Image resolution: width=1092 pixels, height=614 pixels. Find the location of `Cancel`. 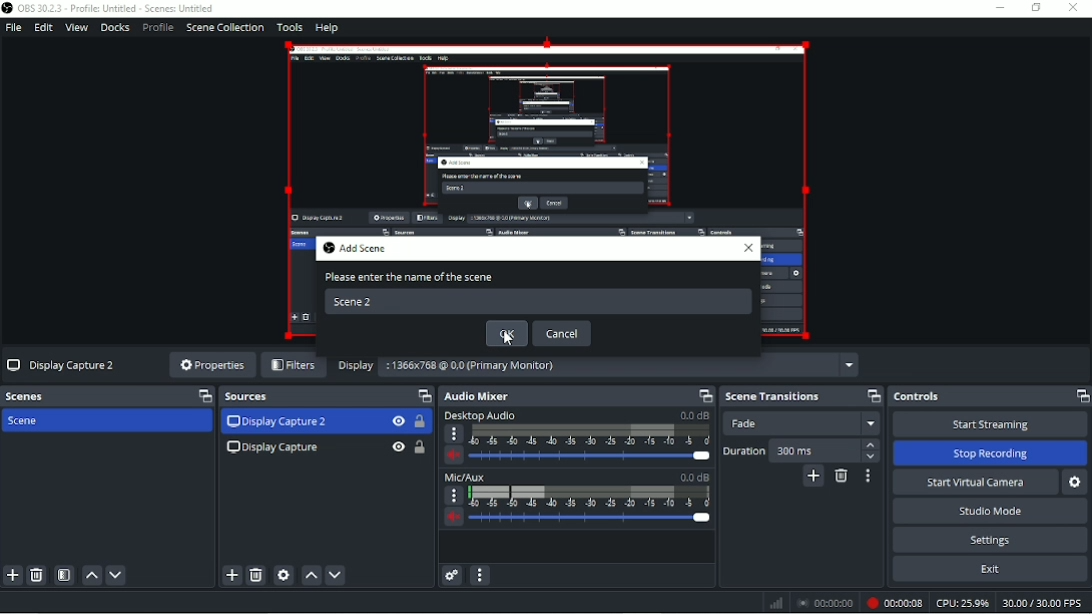

Cancel is located at coordinates (564, 333).